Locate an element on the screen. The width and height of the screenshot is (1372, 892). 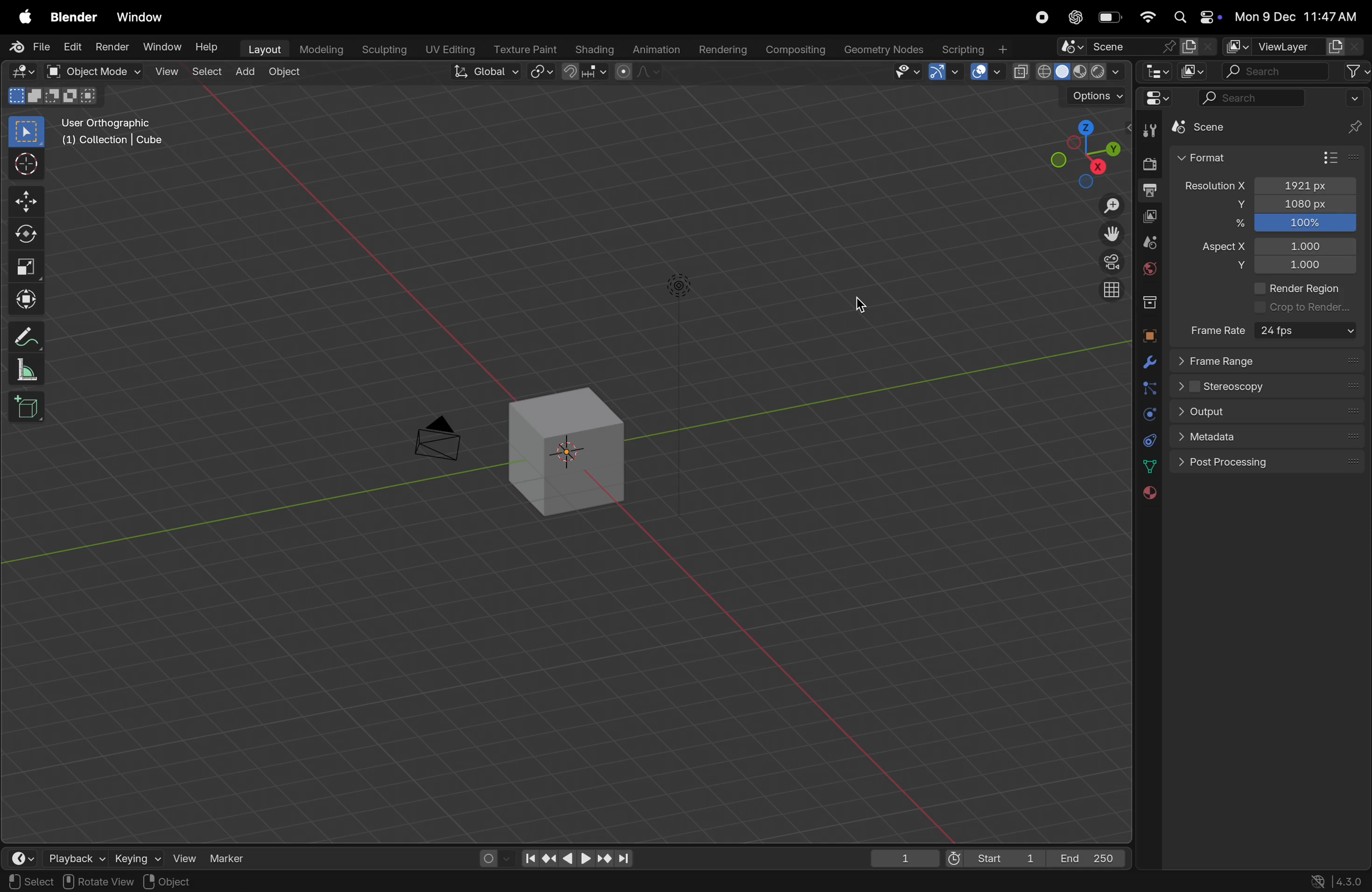
texture point is located at coordinates (526, 48).